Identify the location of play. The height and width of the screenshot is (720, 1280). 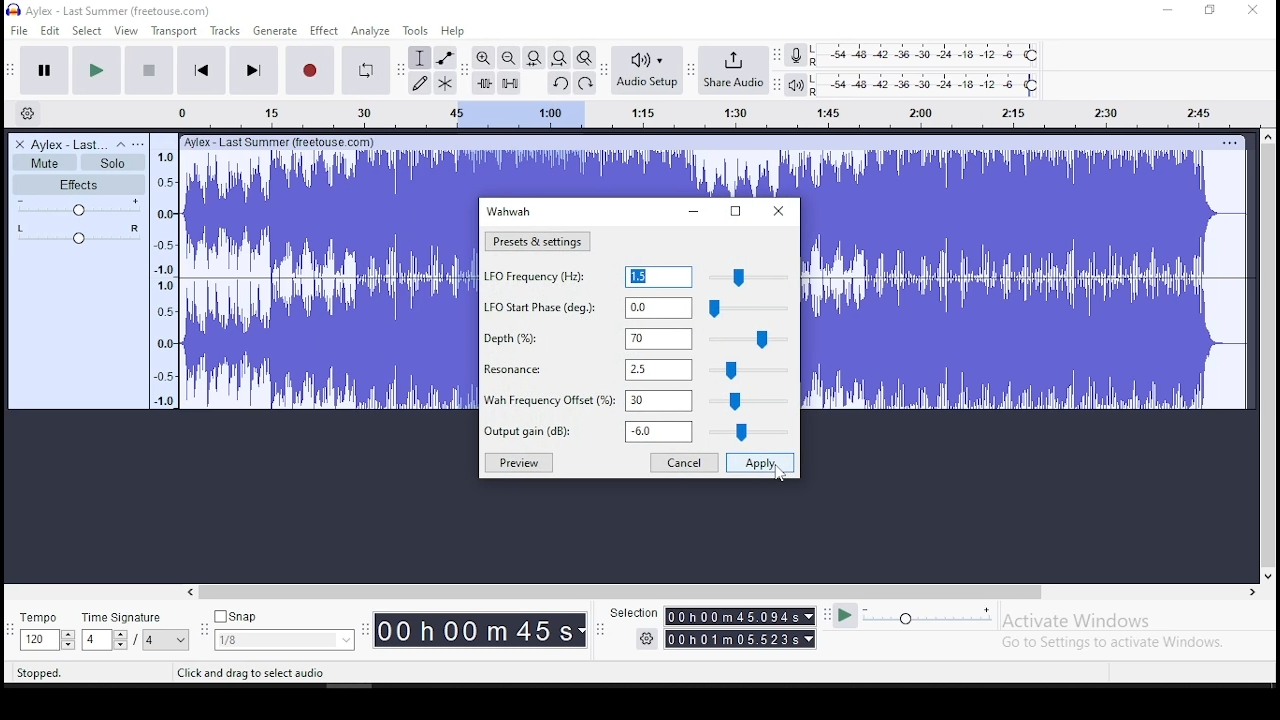
(97, 69).